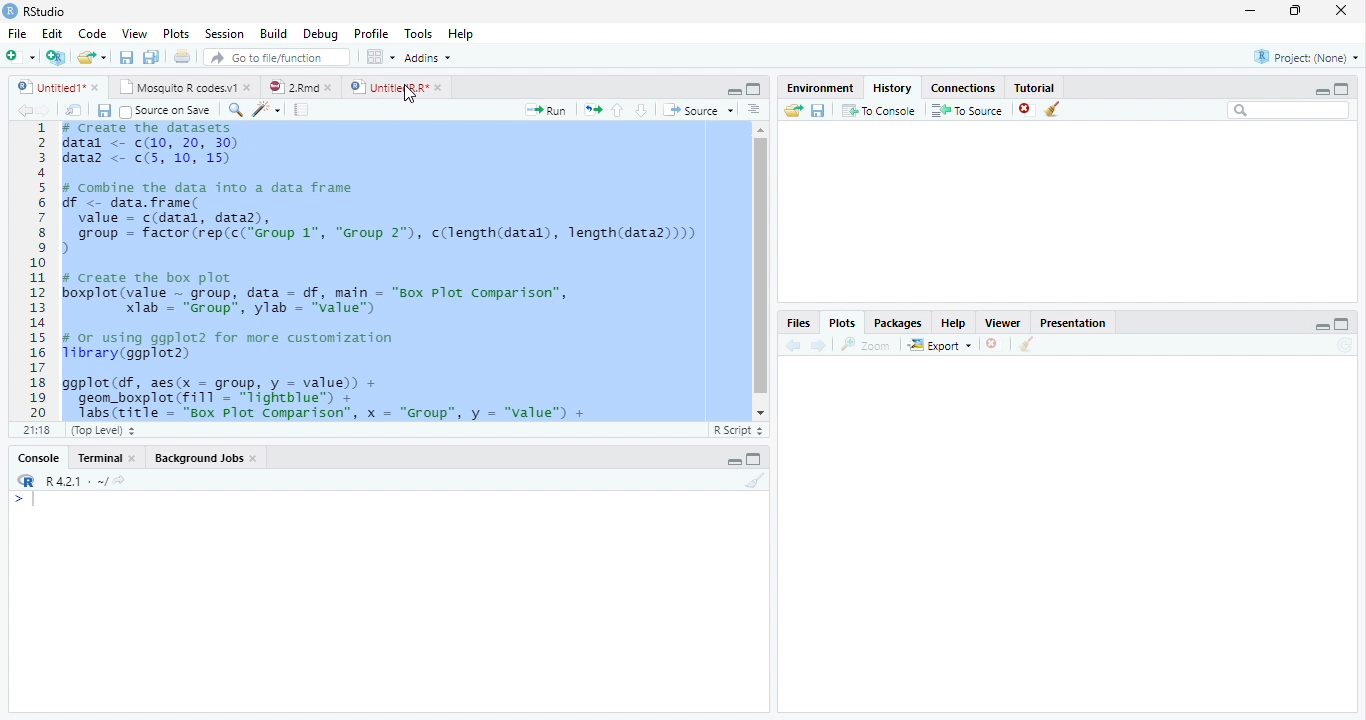 This screenshot has width=1366, height=720. Describe the element at coordinates (793, 345) in the screenshot. I see `Previous plot` at that location.